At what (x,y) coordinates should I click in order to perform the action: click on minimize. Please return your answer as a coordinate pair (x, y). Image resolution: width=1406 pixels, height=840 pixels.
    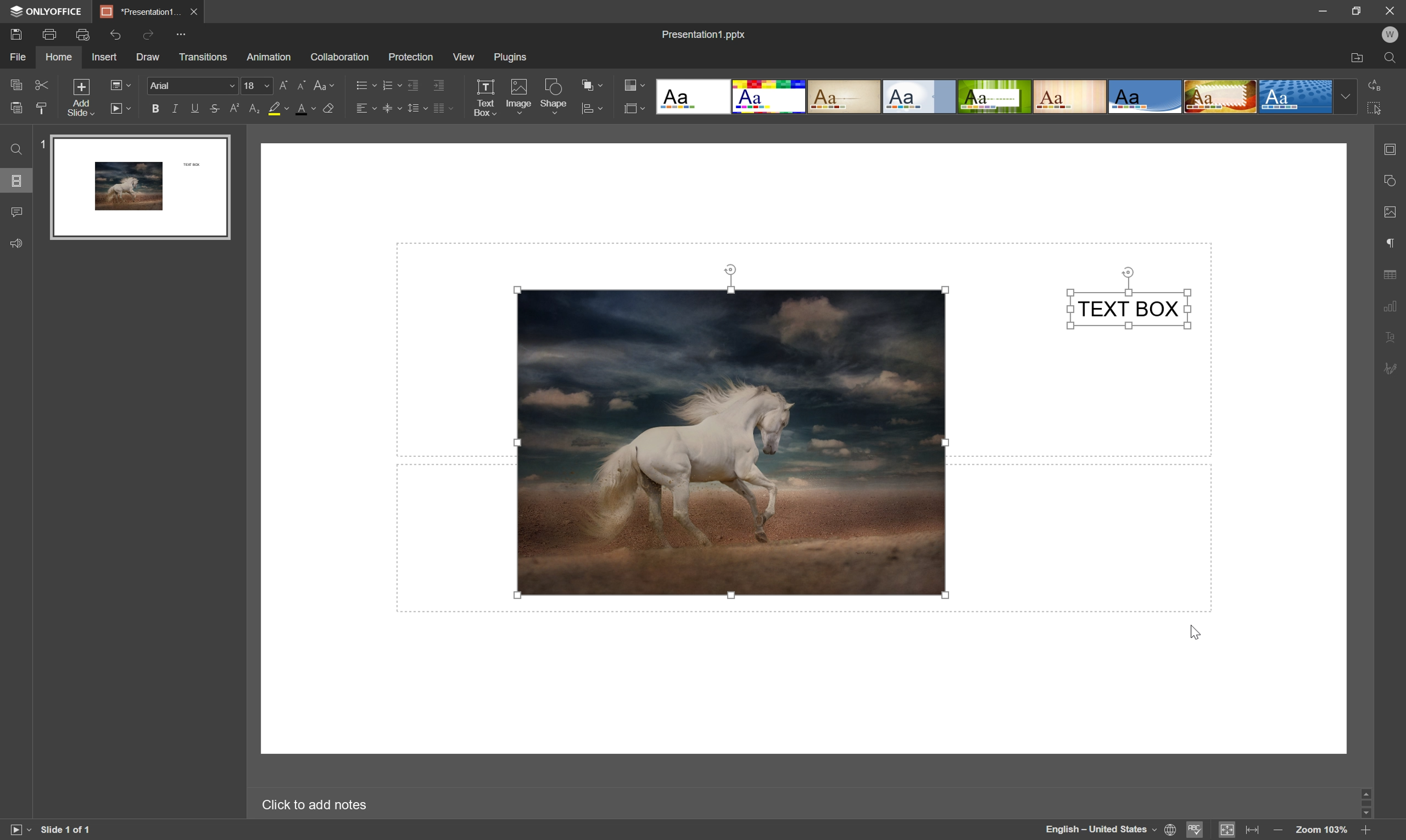
    Looking at the image, I should click on (1321, 9).